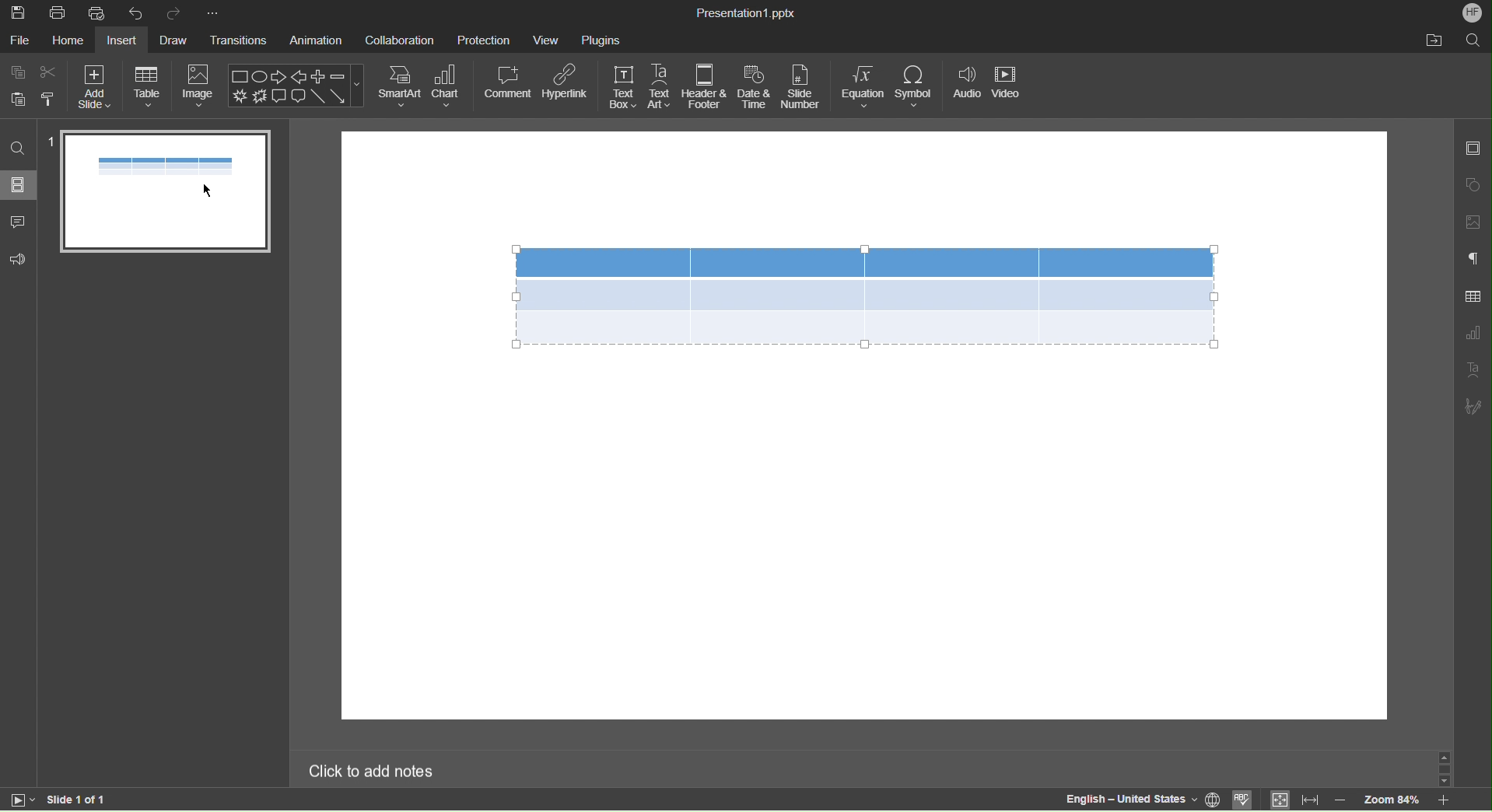 The image size is (1492, 812). Describe the element at coordinates (47, 99) in the screenshot. I see `Copy Style` at that location.